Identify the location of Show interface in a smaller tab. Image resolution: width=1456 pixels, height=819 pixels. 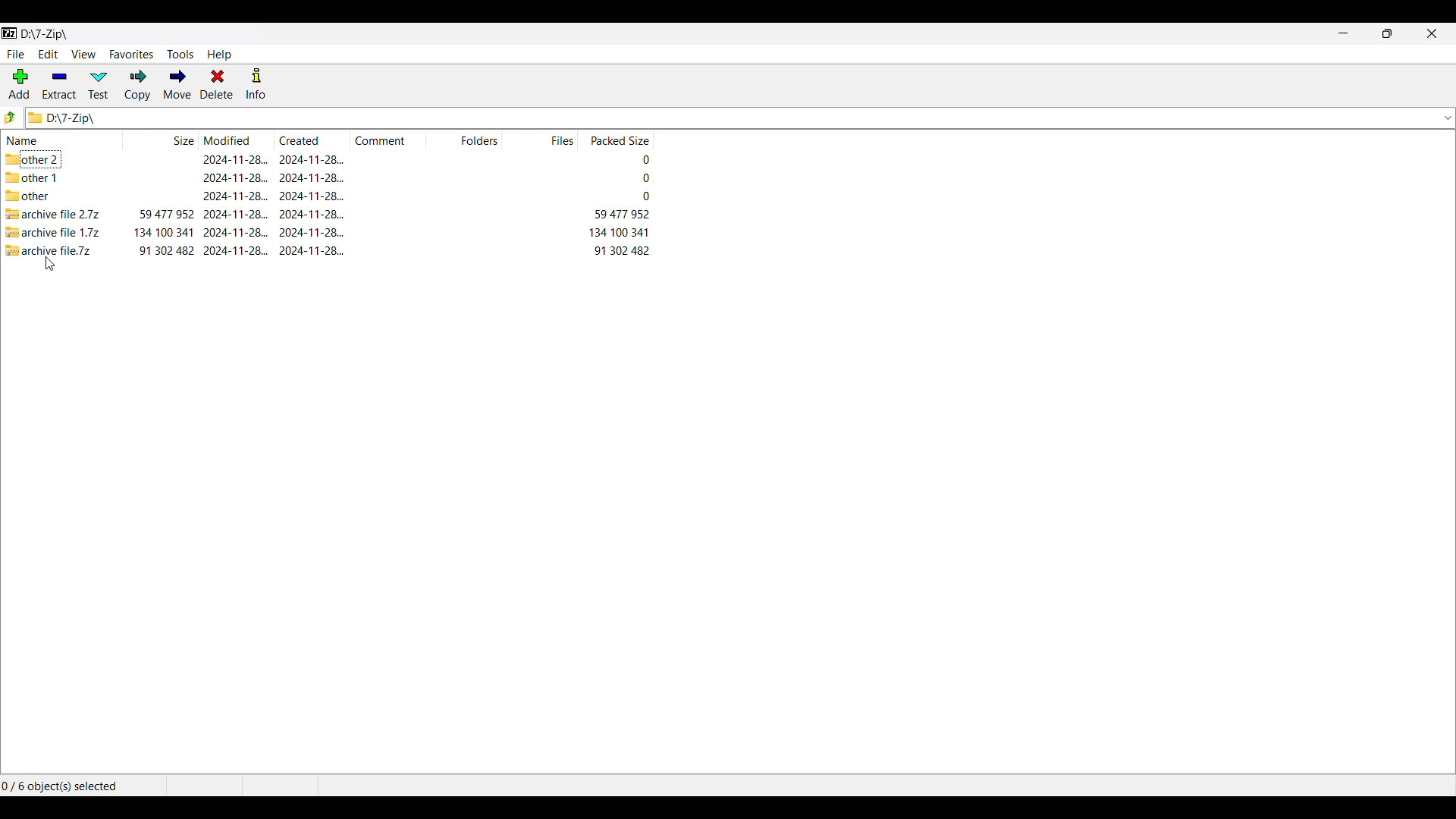
(1388, 33).